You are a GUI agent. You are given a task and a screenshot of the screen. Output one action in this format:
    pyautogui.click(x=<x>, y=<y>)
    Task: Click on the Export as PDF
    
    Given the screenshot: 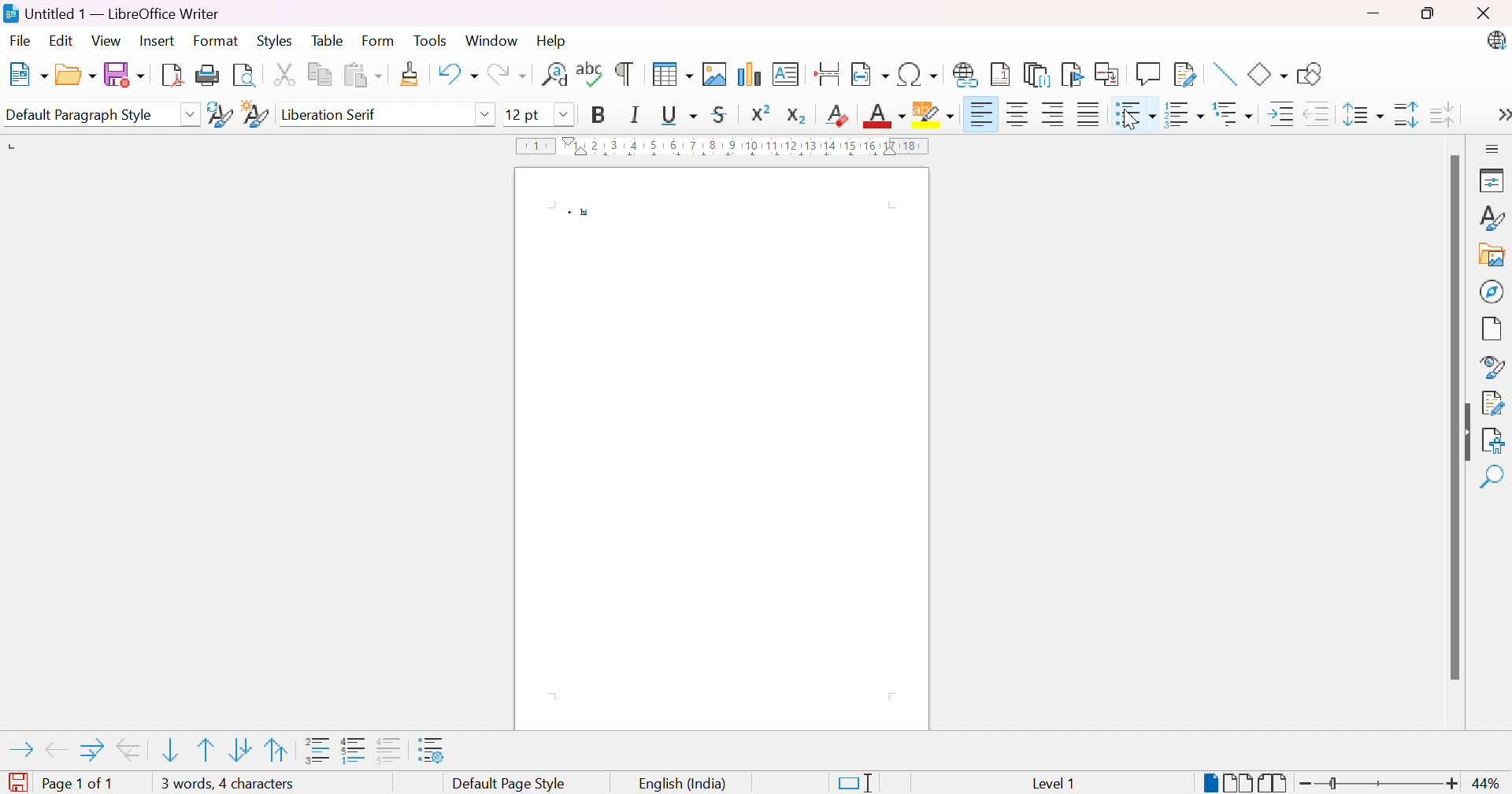 What is the action you would take?
    pyautogui.click(x=174, y=74)
    